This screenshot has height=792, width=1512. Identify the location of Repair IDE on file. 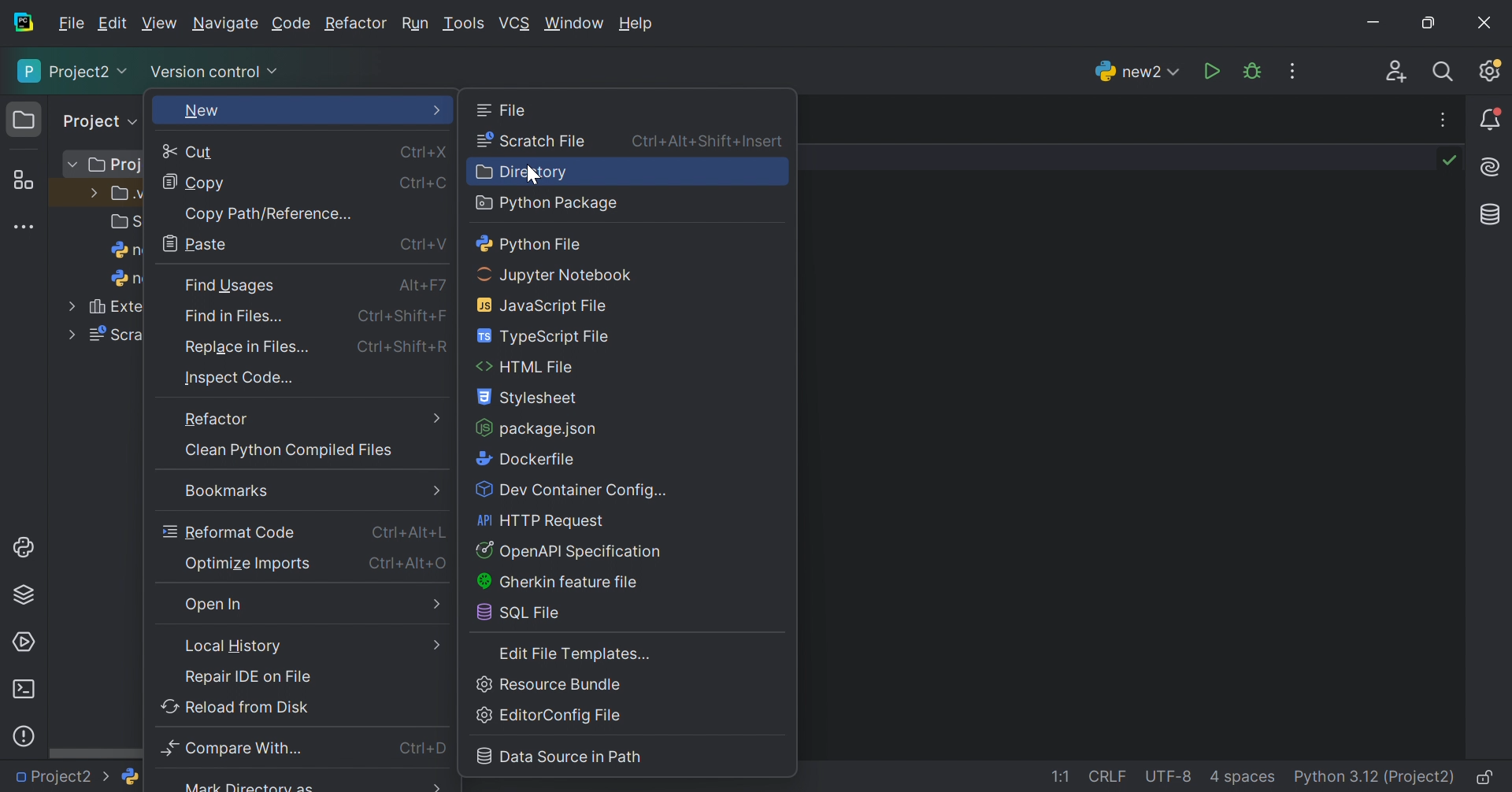
(250, 677).